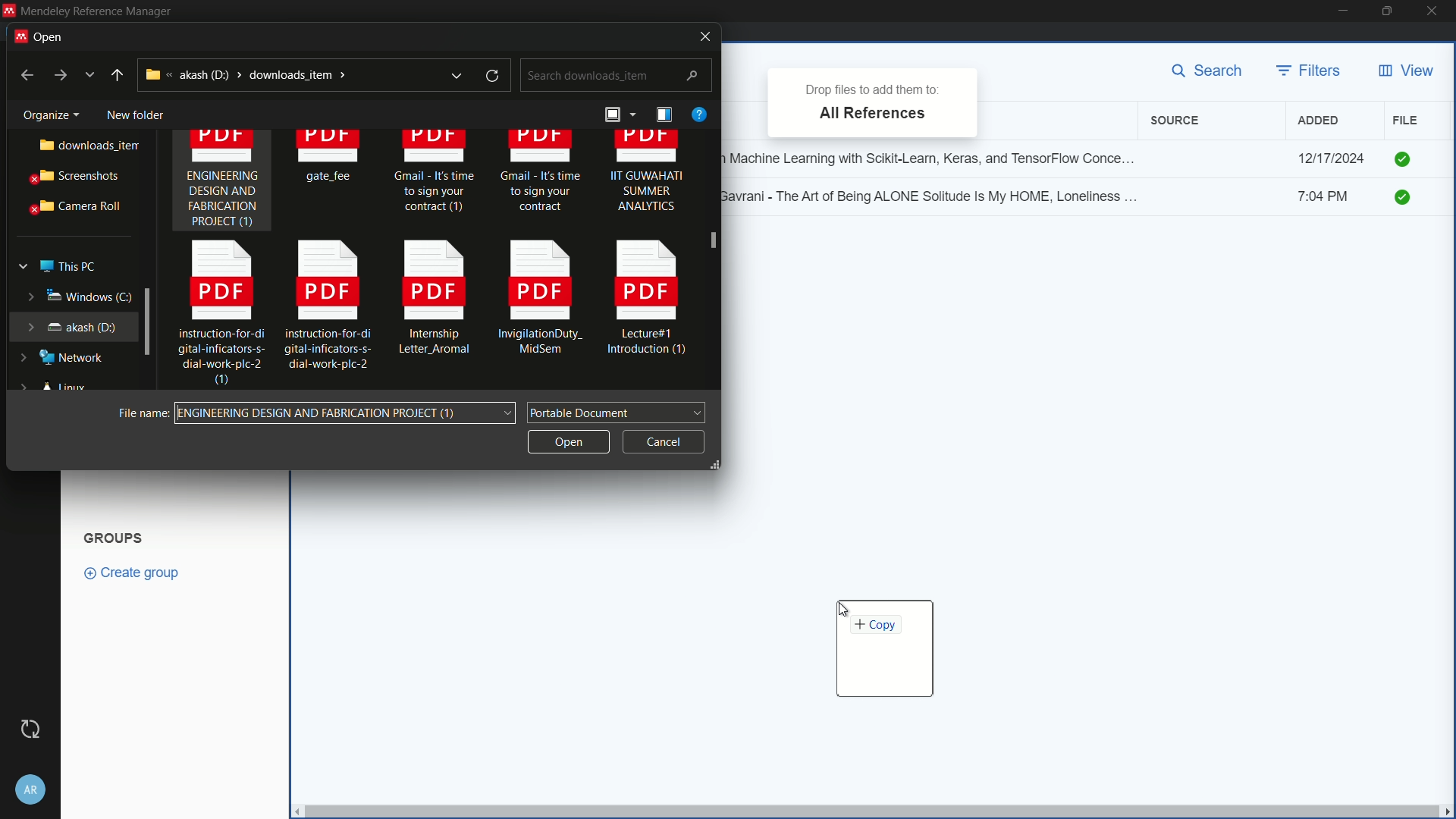 The width and height of the screenshot is (1456, 819). I want to click on added, so click(1319, 121).